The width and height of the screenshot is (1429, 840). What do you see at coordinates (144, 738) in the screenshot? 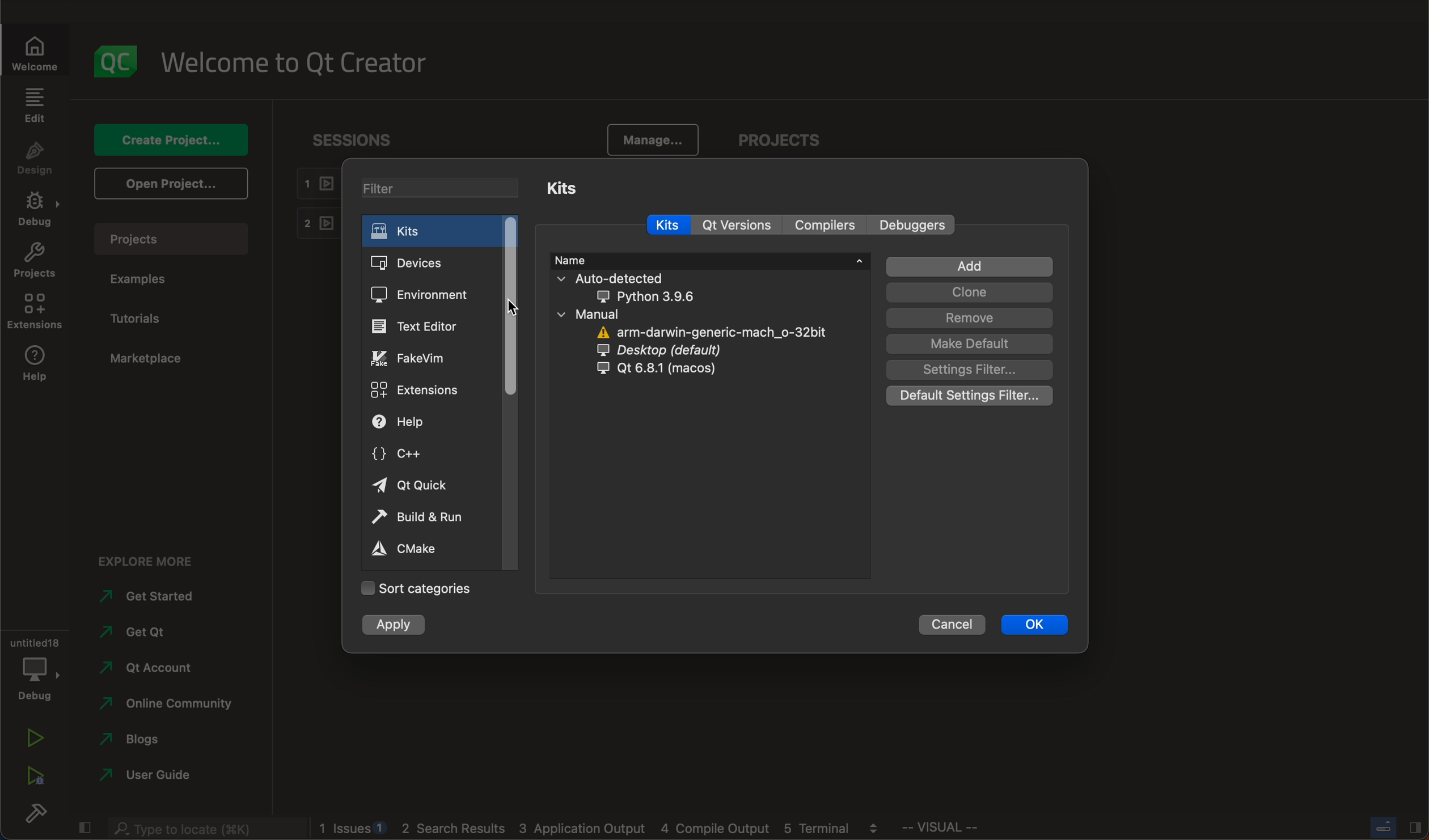
I see `blogs` at bounding box center [144, 738].